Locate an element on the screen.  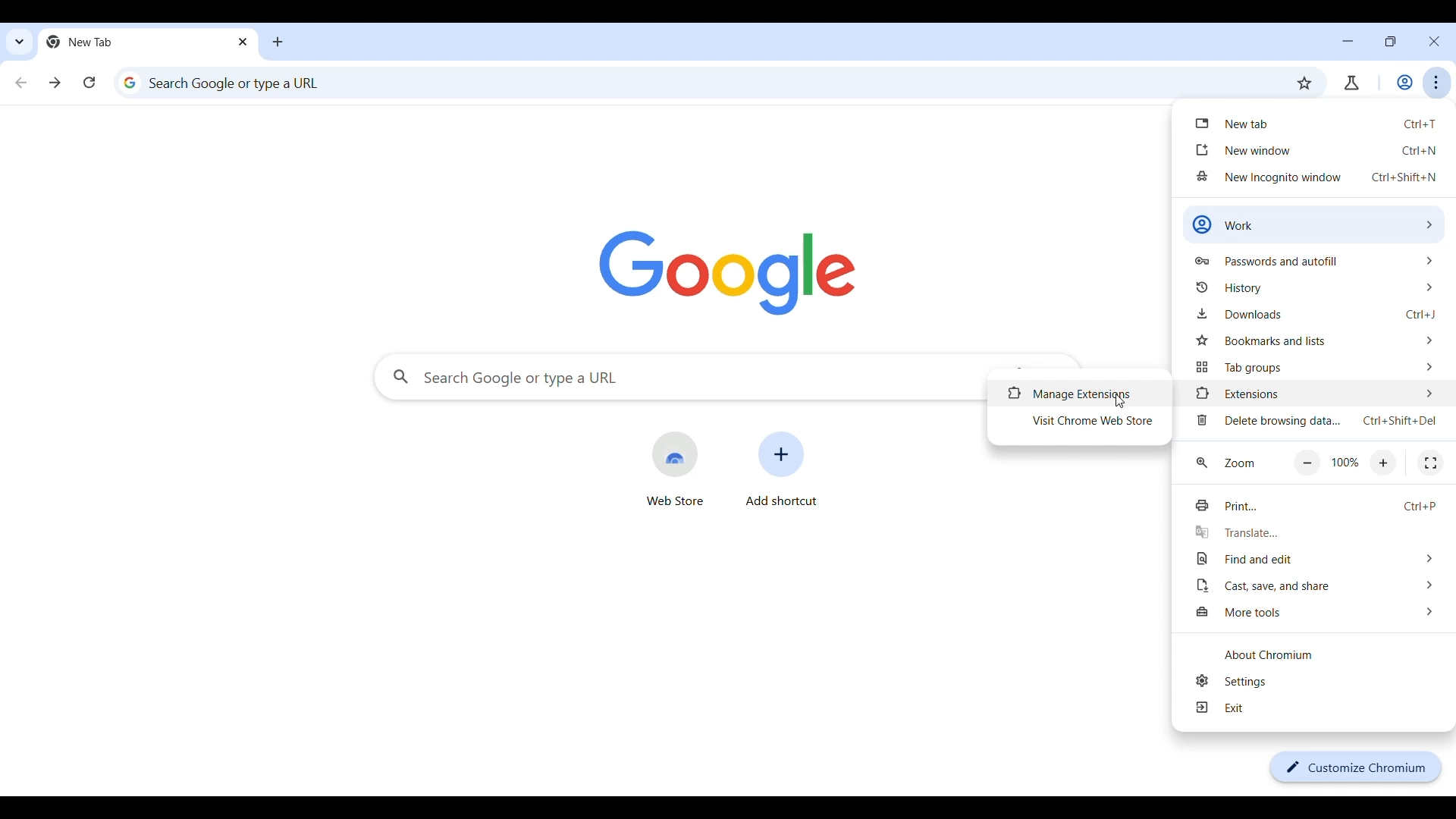
Go back is located at coordinates (21, 82).